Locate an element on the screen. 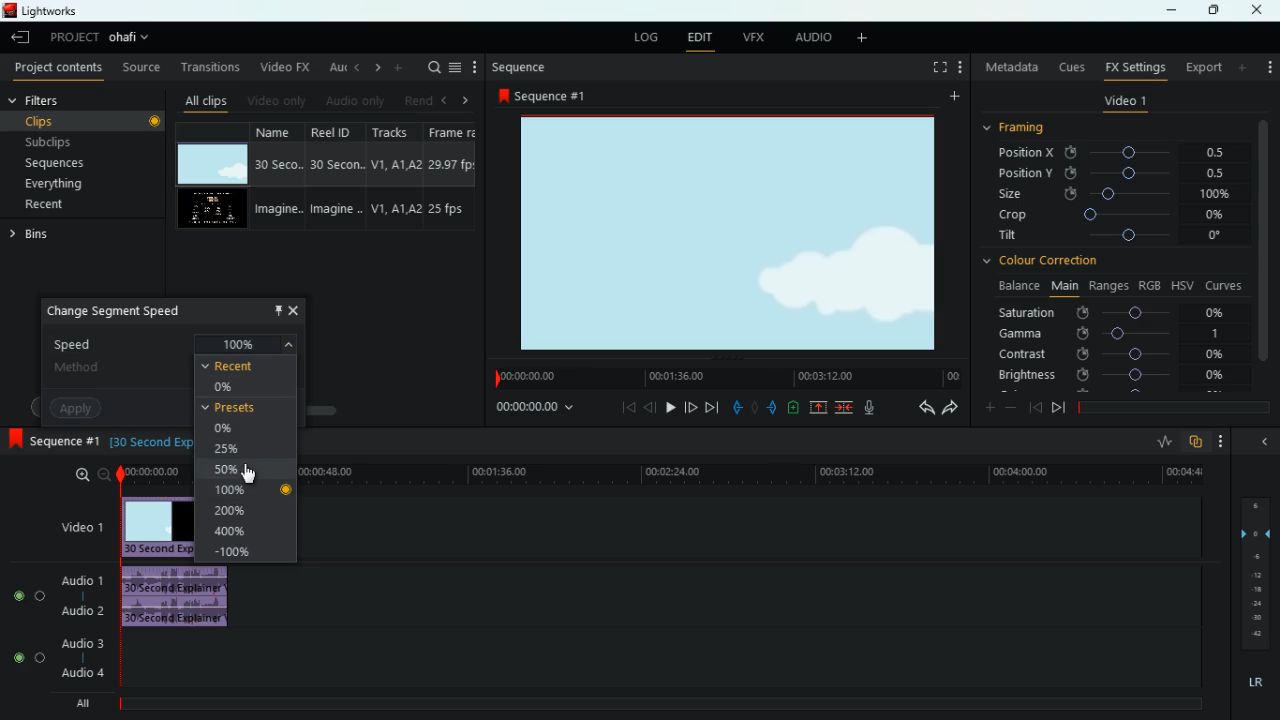 The width and height of the screenshot is (1280, 720). reel id is located at coordinates (329, 175).